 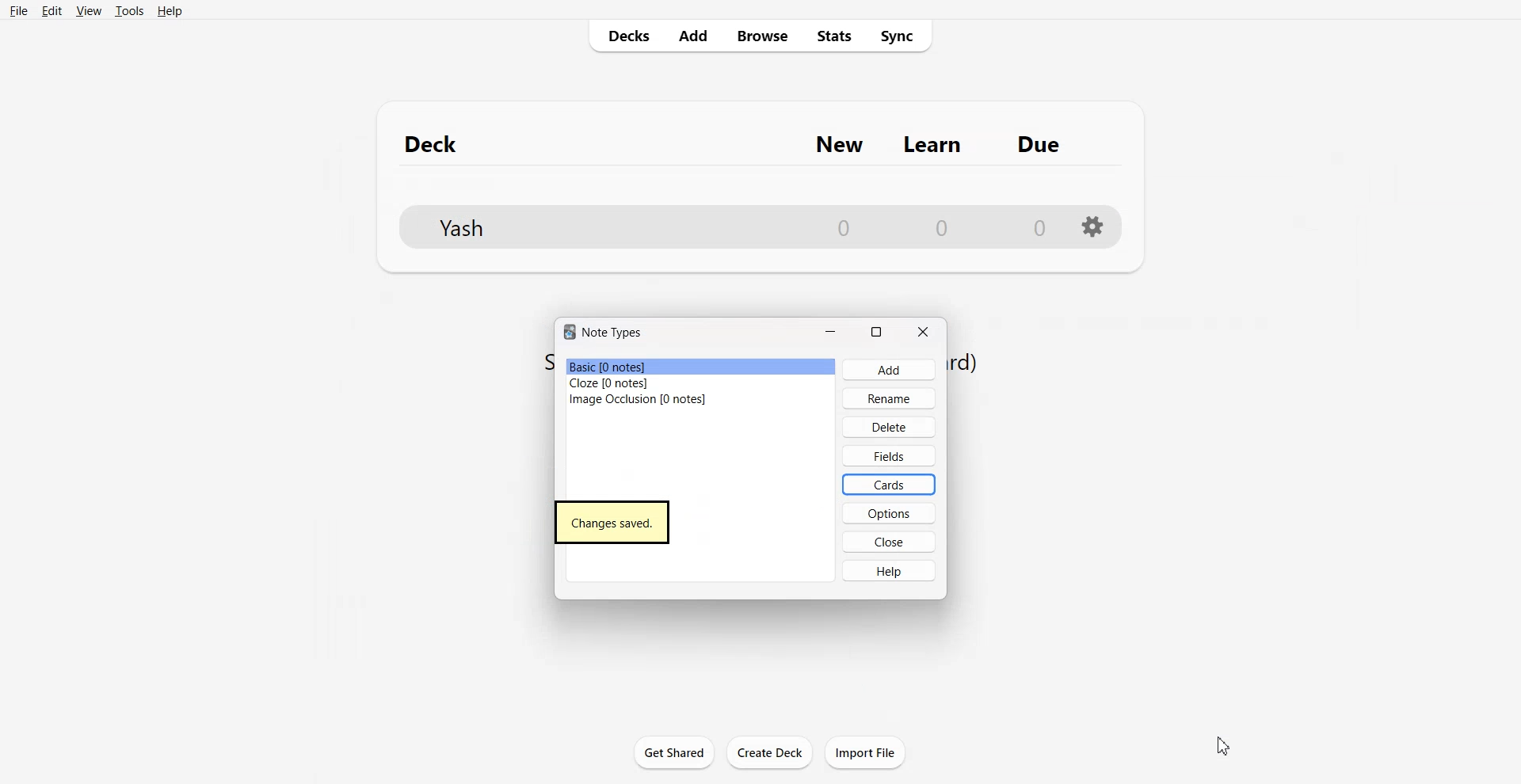 I want to click on Changes saved., so click(x=613, y=522).